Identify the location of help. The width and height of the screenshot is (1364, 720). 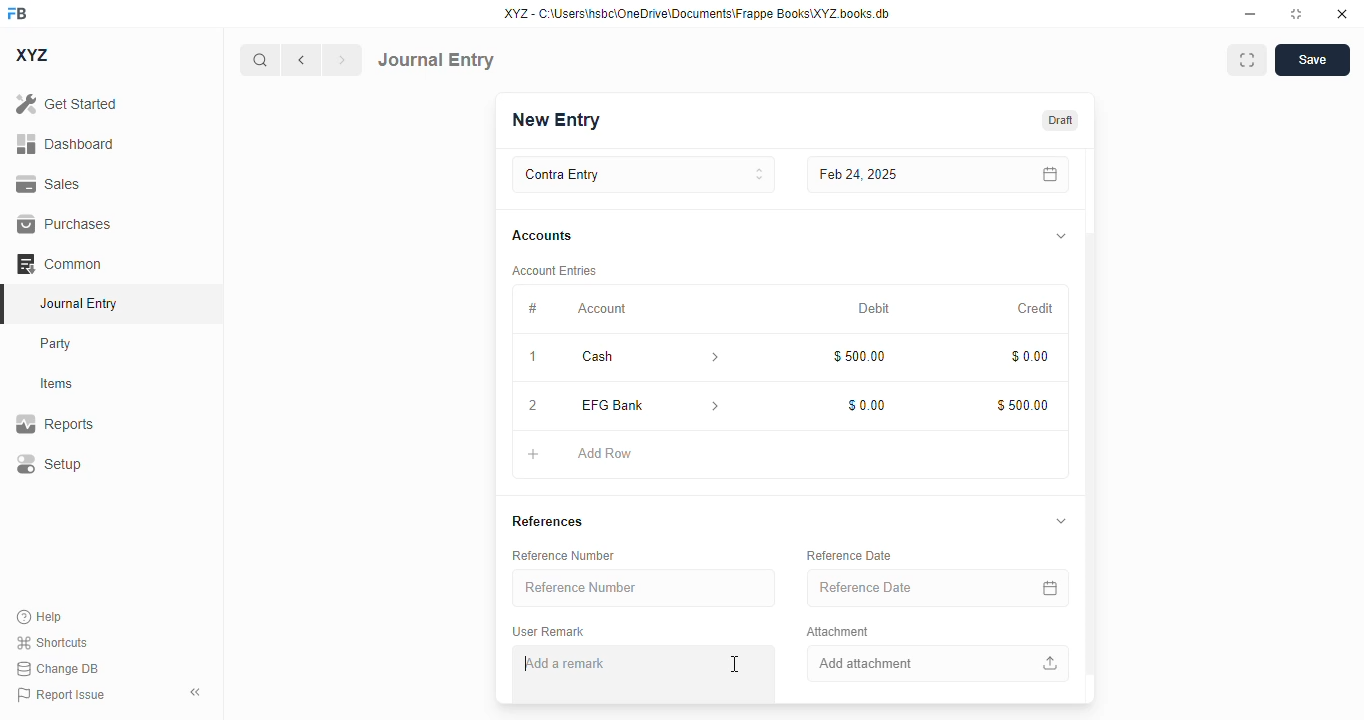
(40, 617).